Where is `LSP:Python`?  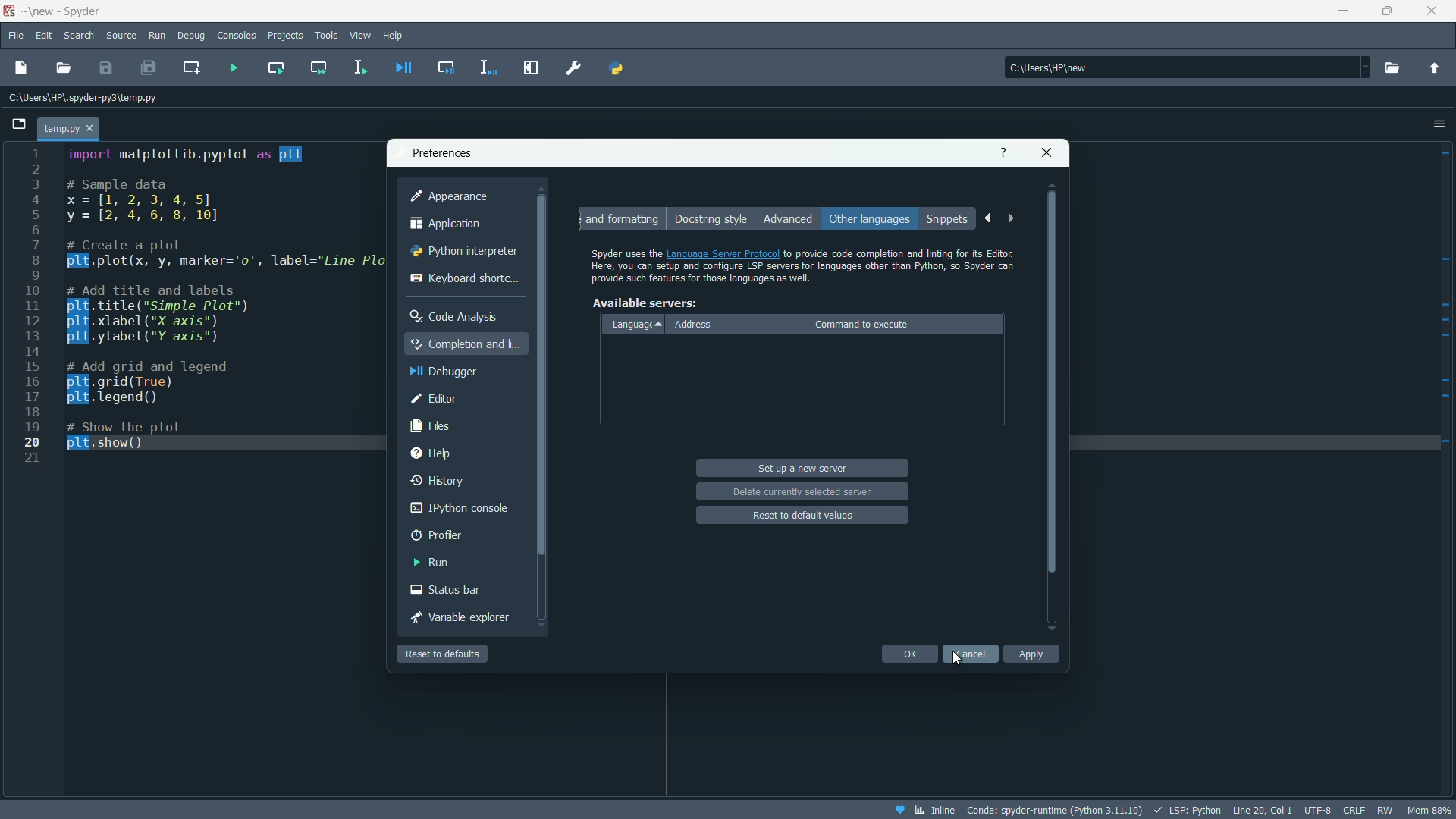 LSP:Python is located at coordinates (1187, 810).